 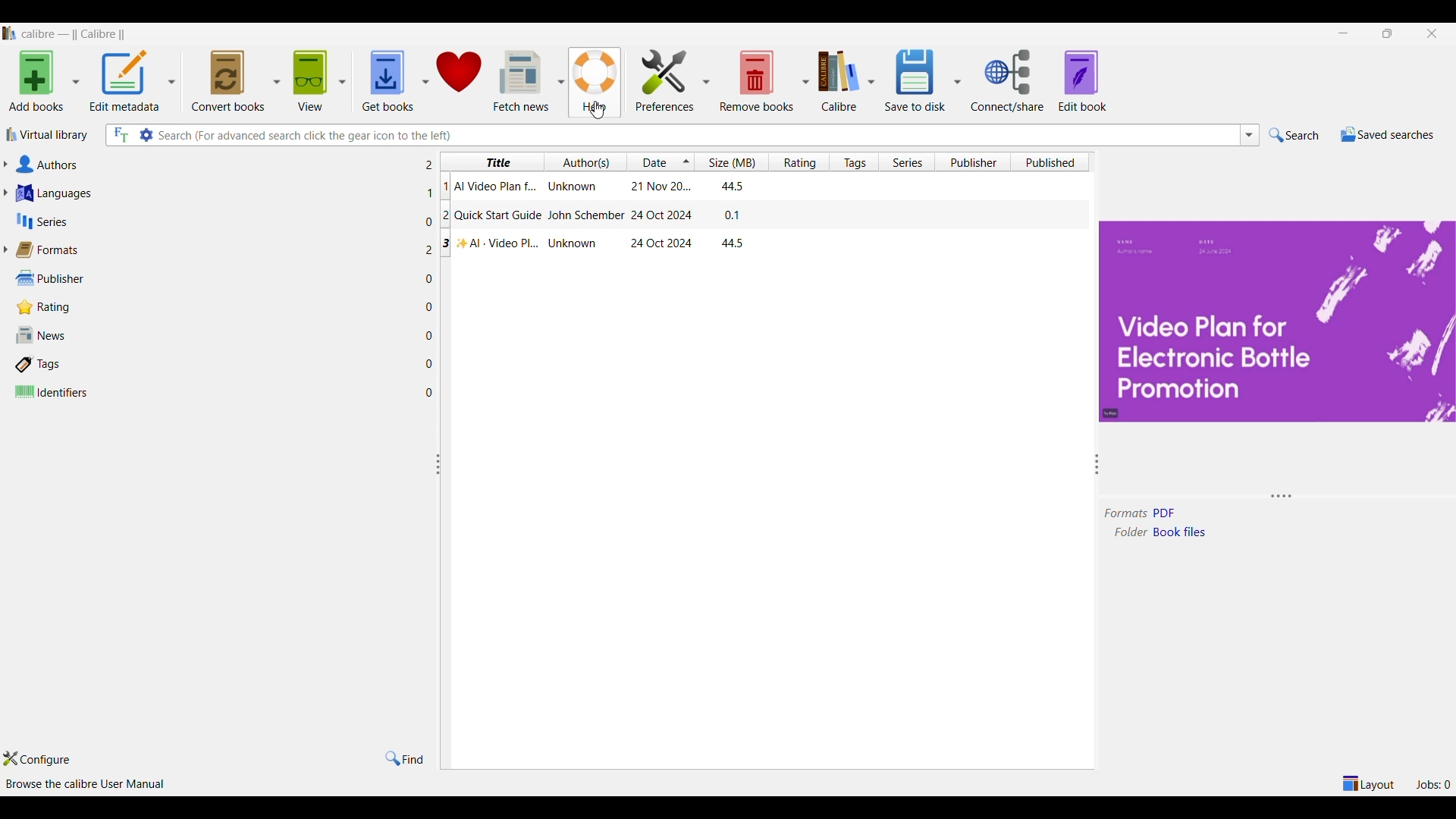 I want to click on Convert book options, so click(x=277, y=82).